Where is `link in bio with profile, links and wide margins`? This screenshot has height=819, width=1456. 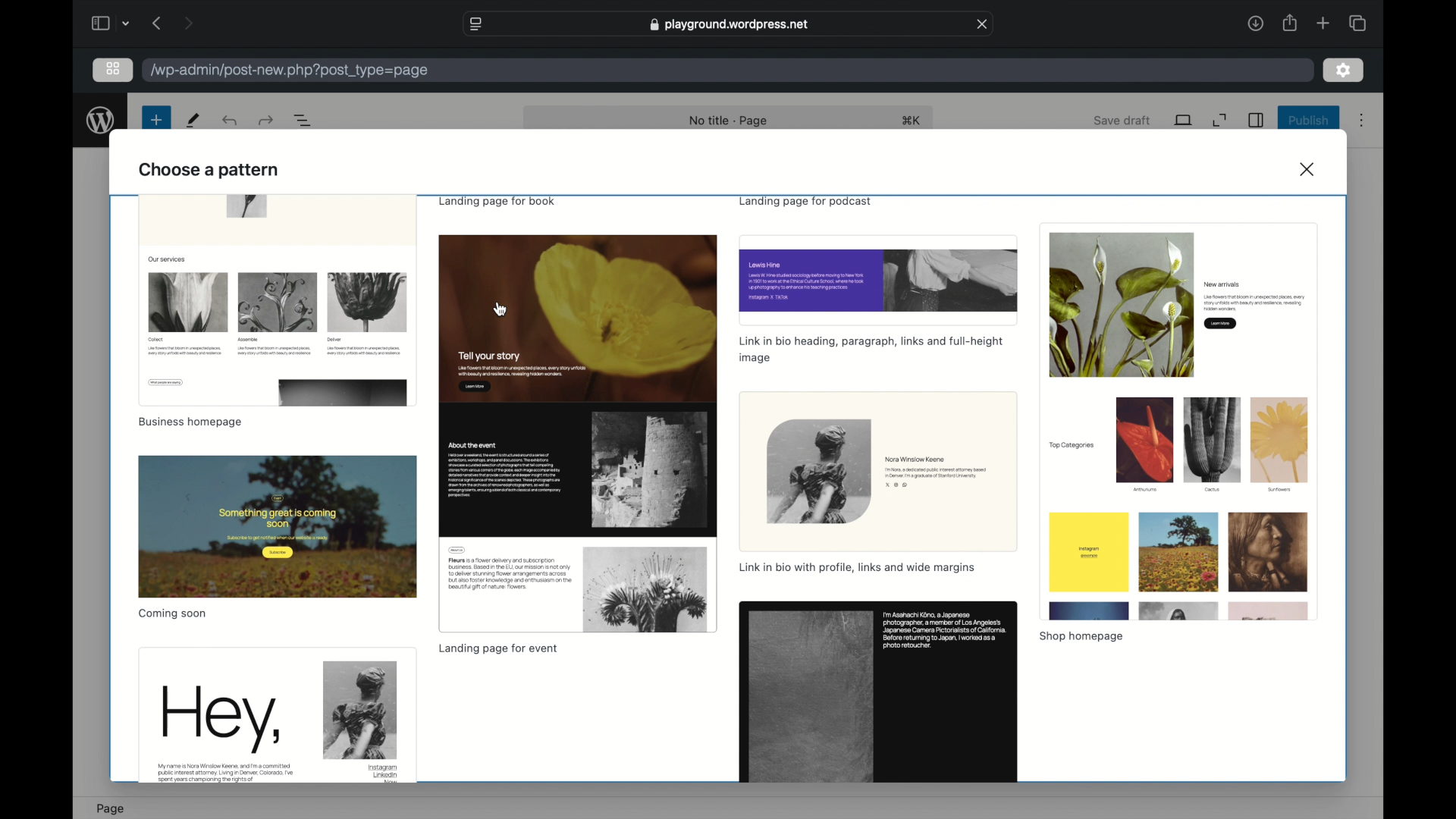 link in bio with profile, links and wide margins is located at coordinates (858, 569).